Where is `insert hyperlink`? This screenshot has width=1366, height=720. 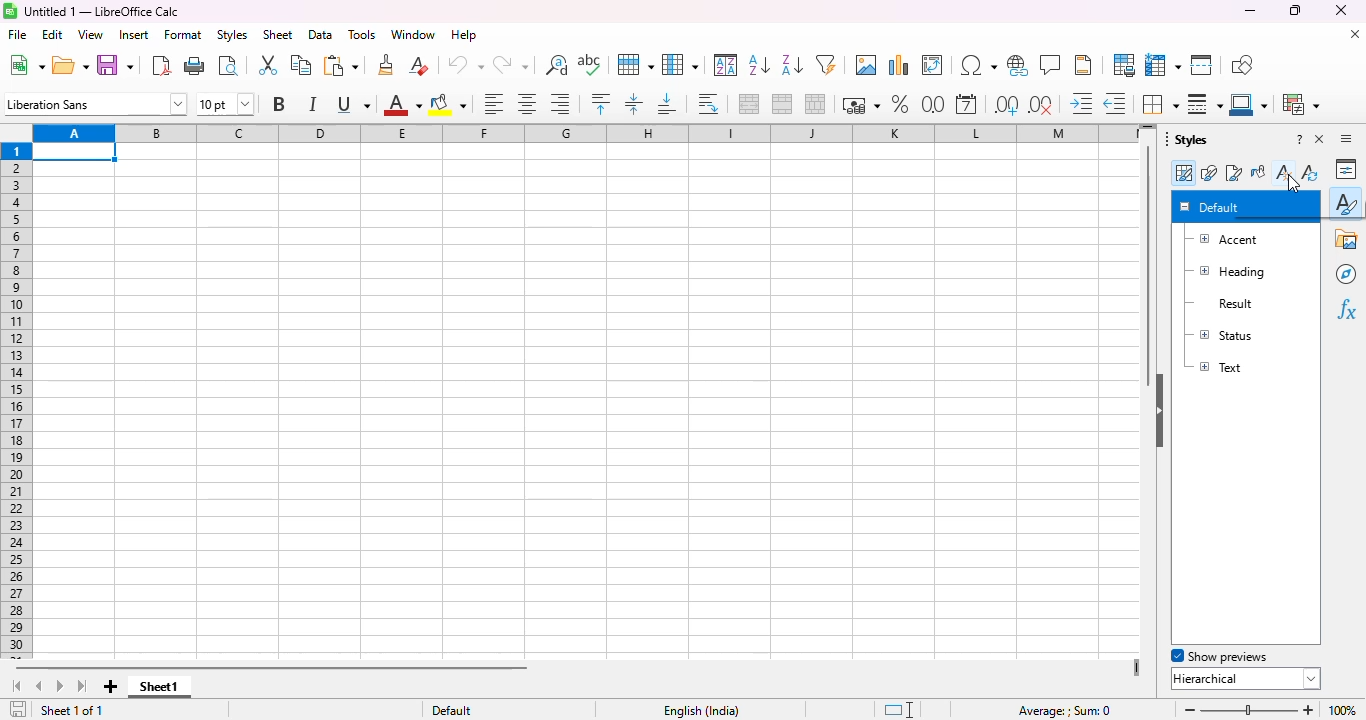 insert hyperlink is located at coordinates (1018, 65).